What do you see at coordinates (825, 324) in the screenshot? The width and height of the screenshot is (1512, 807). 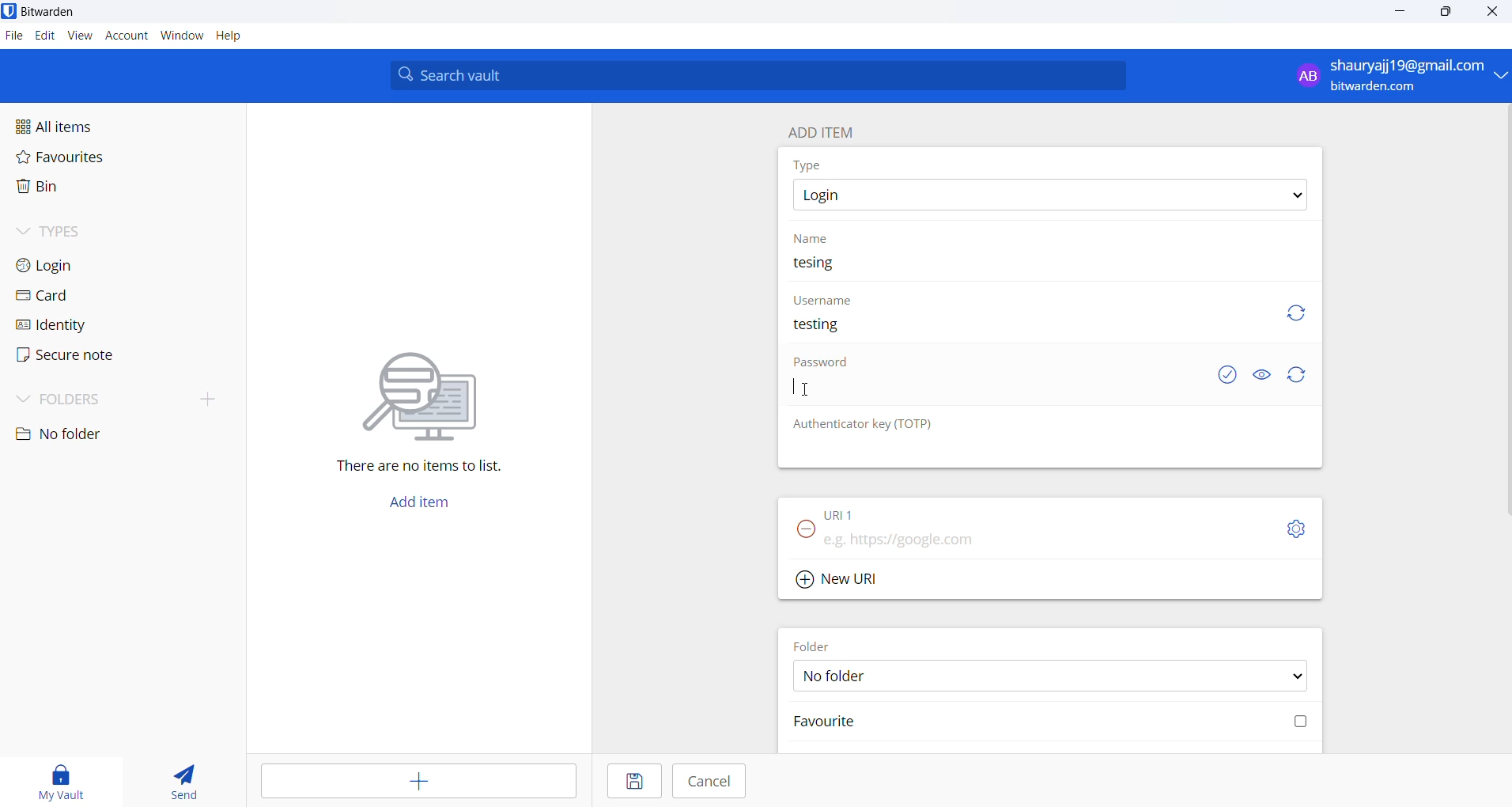 I see `entered username` at bounding box center [825, 324].